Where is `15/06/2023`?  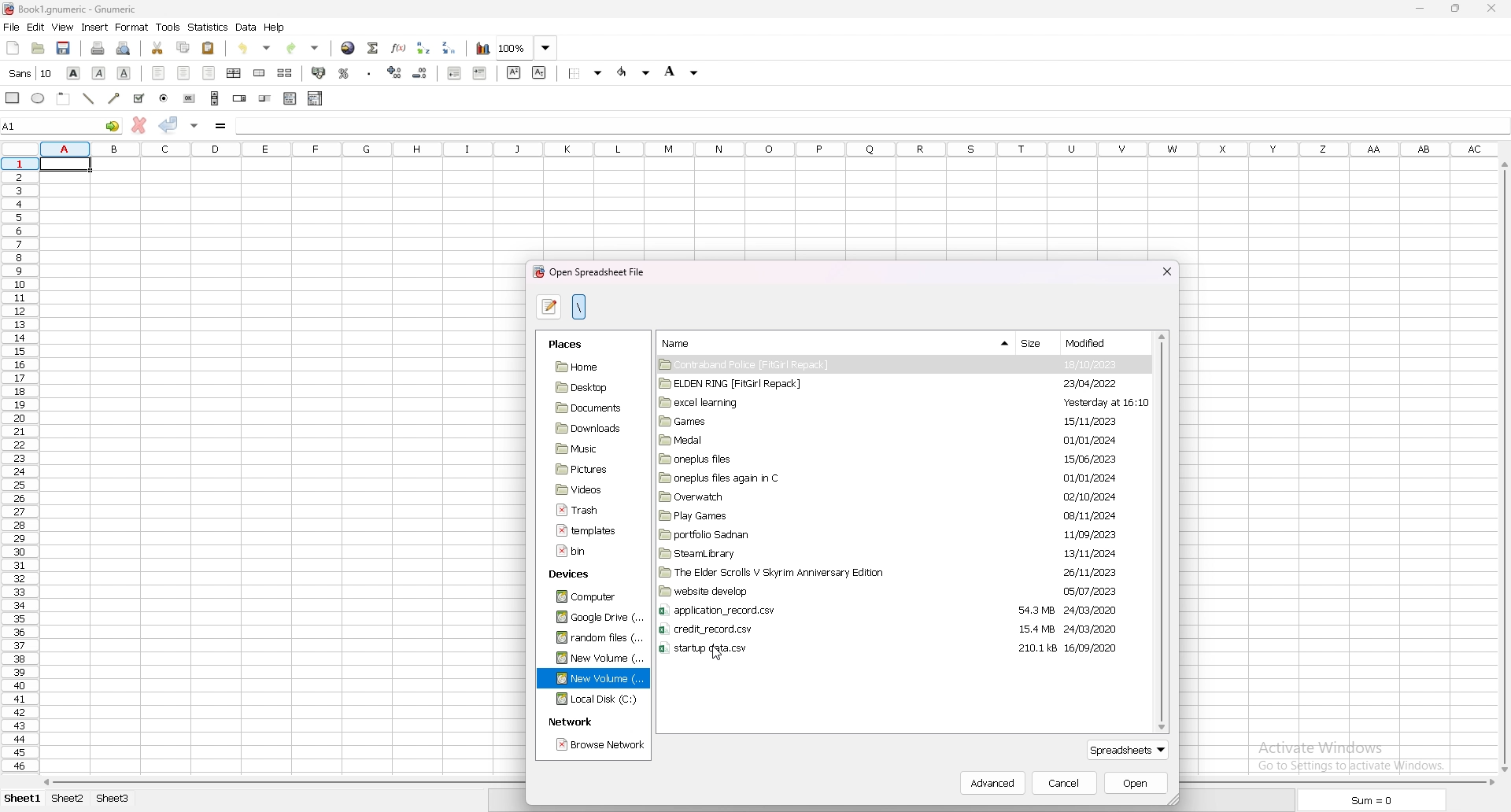
15/06/2023 is located at coordinates (1088, 458).